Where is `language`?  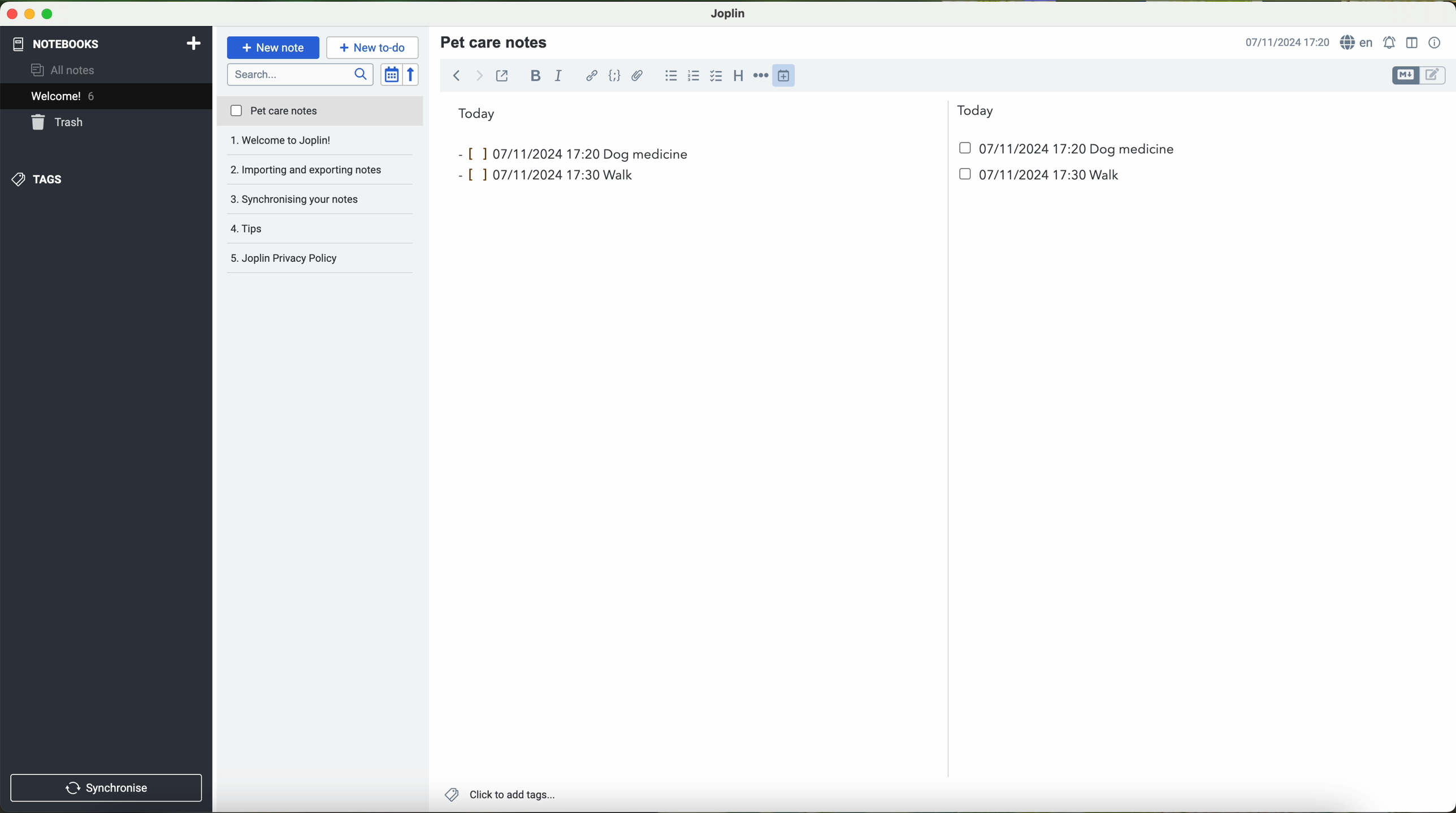
language is located at coordinates (1359, 43).